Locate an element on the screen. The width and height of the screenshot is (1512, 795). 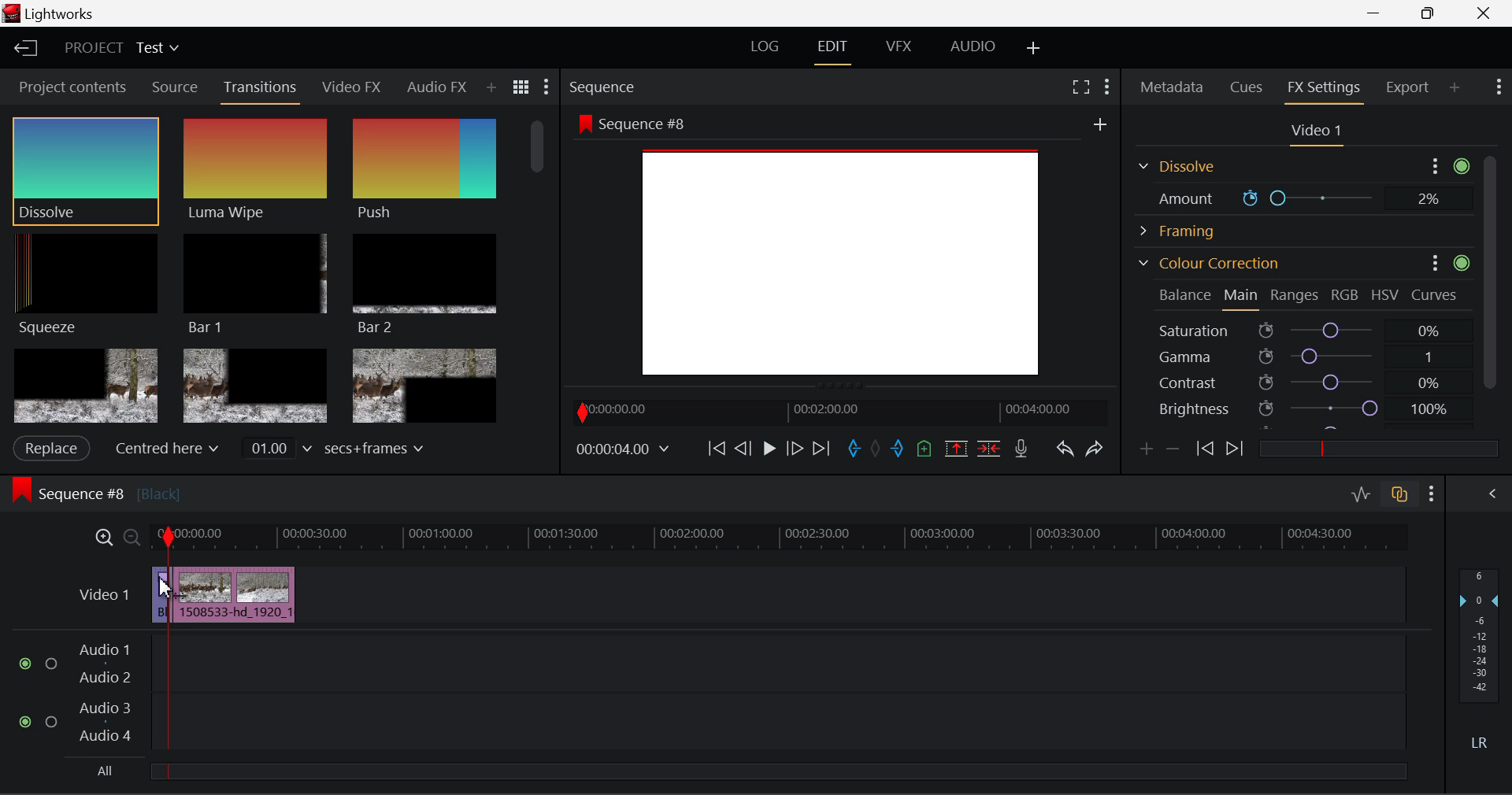
To Start is located at coordinates (715, 448).